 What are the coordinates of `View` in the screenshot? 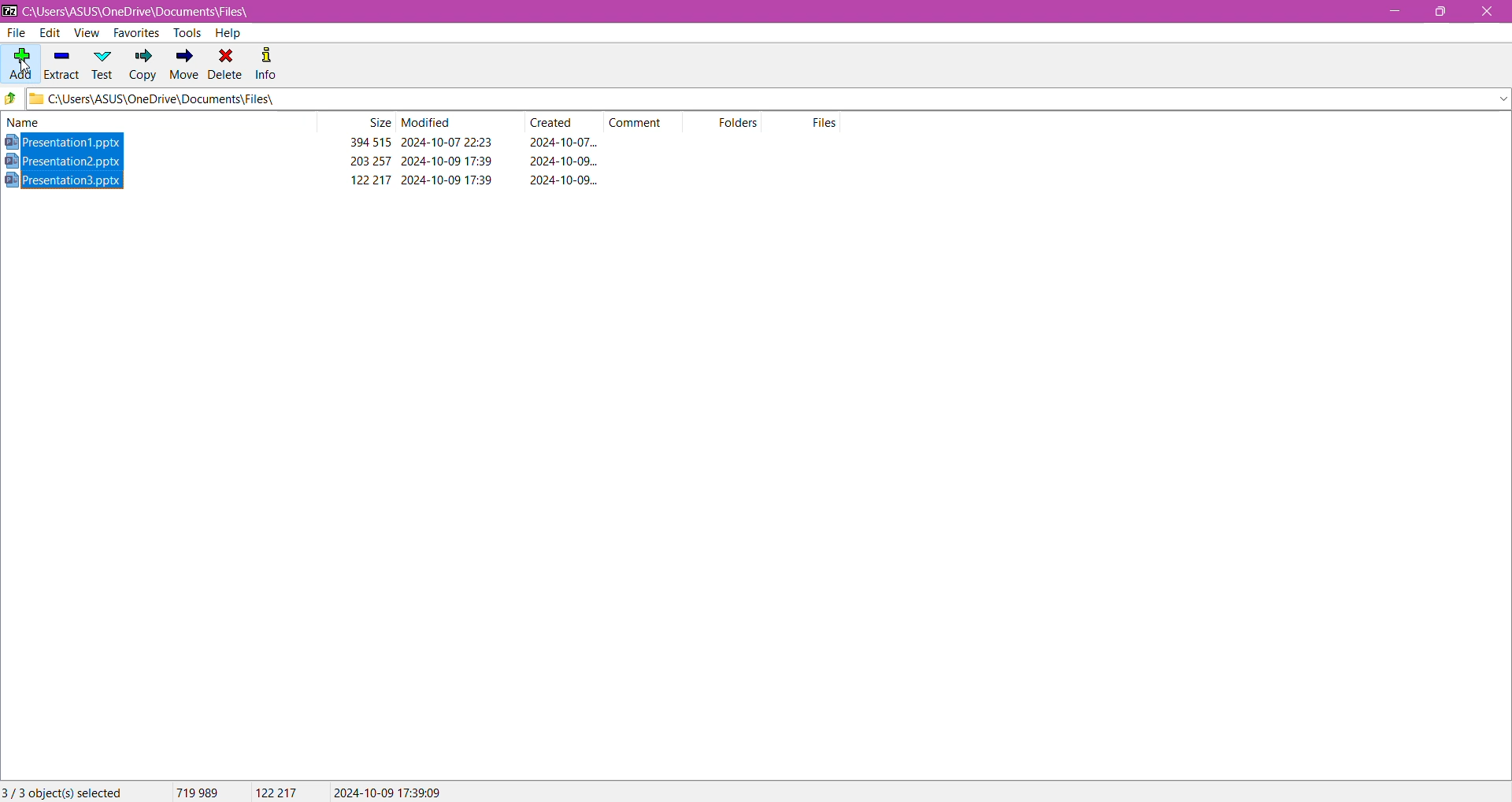 It's located at (86, 33).